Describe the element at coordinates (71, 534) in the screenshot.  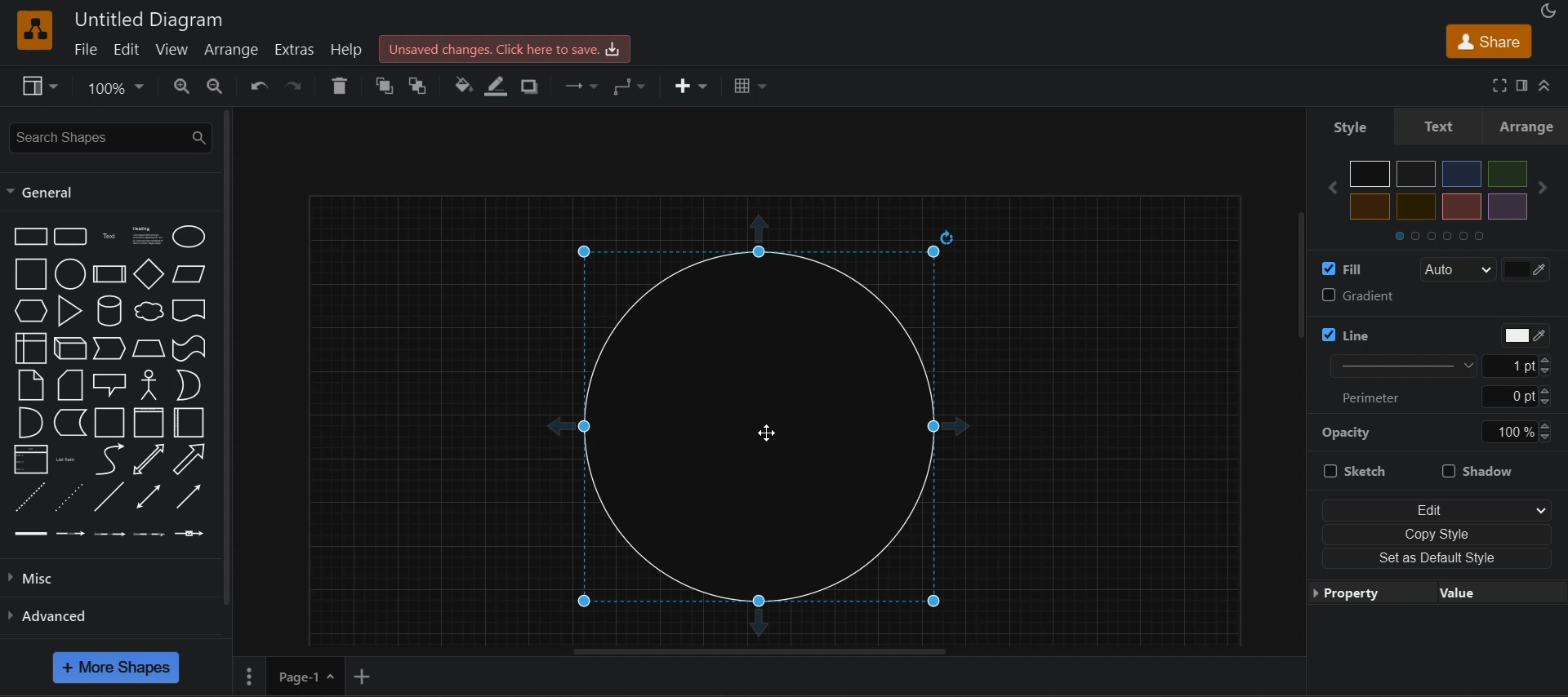
I see `Connector 2` at that location.